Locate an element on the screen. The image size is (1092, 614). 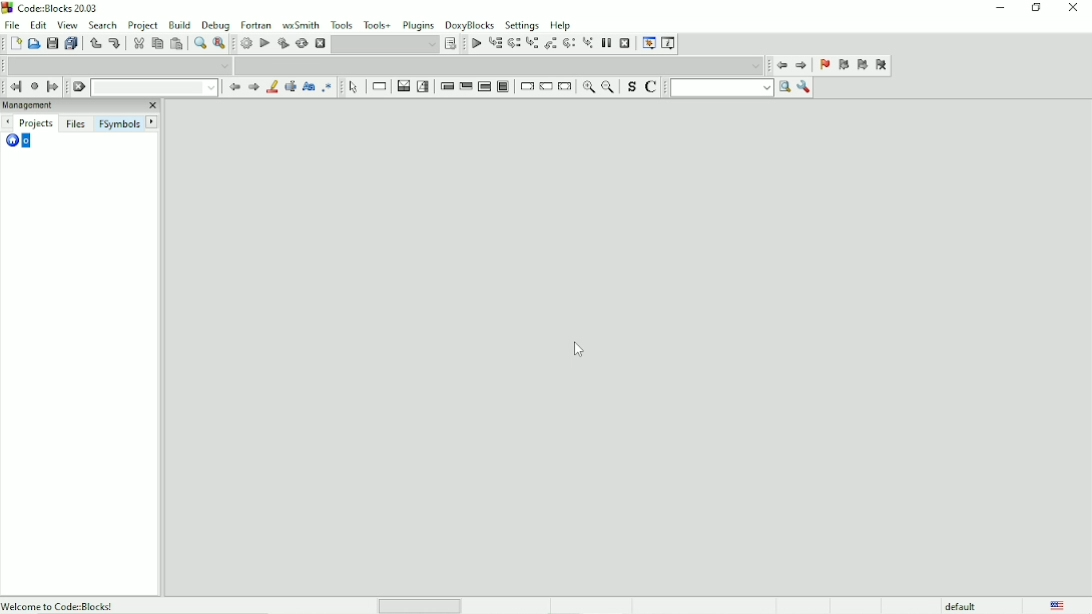
Plugins is located at coordinates (419, 24).